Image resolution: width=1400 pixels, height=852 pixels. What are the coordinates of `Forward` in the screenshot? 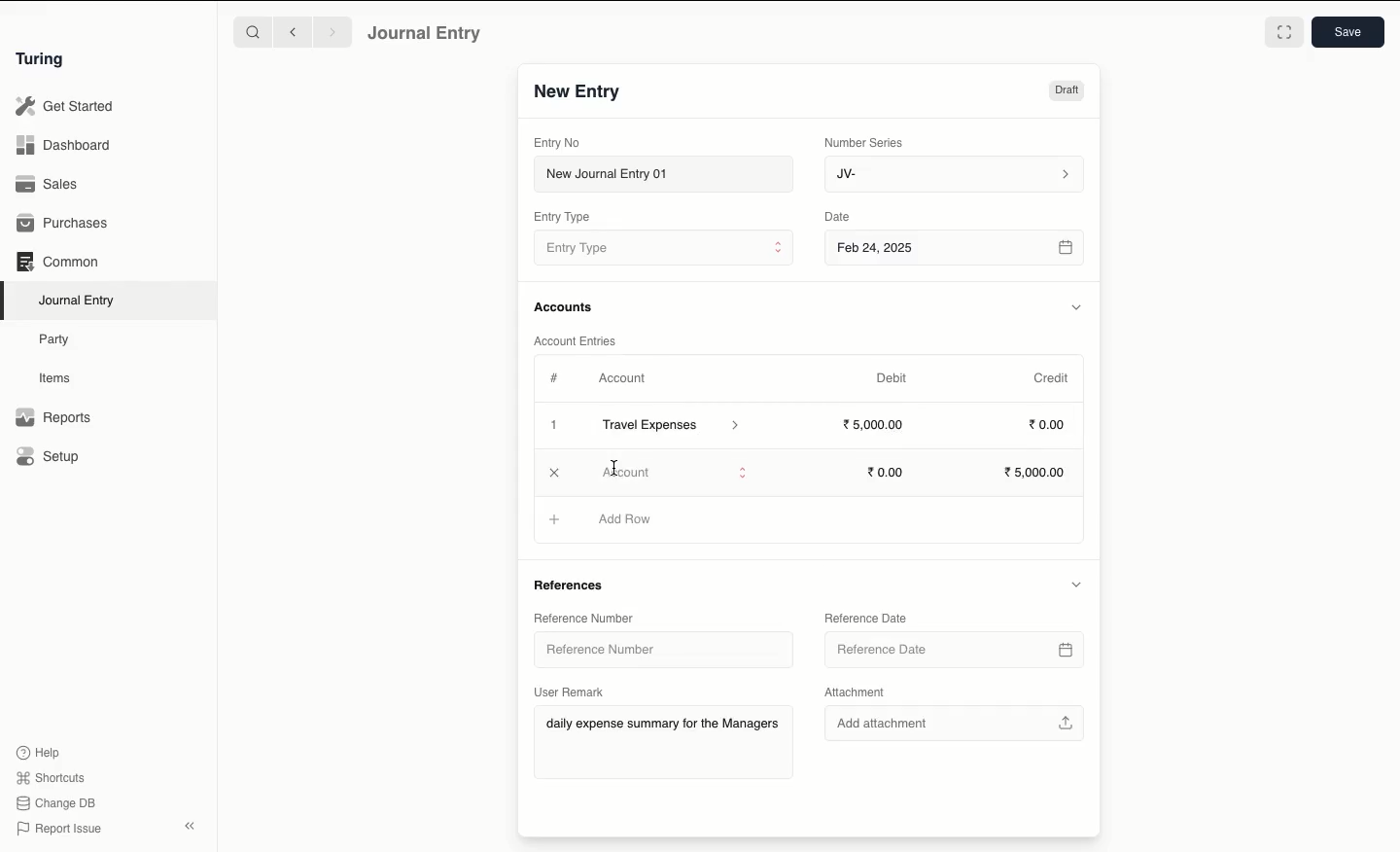 It's located at (333, 31).